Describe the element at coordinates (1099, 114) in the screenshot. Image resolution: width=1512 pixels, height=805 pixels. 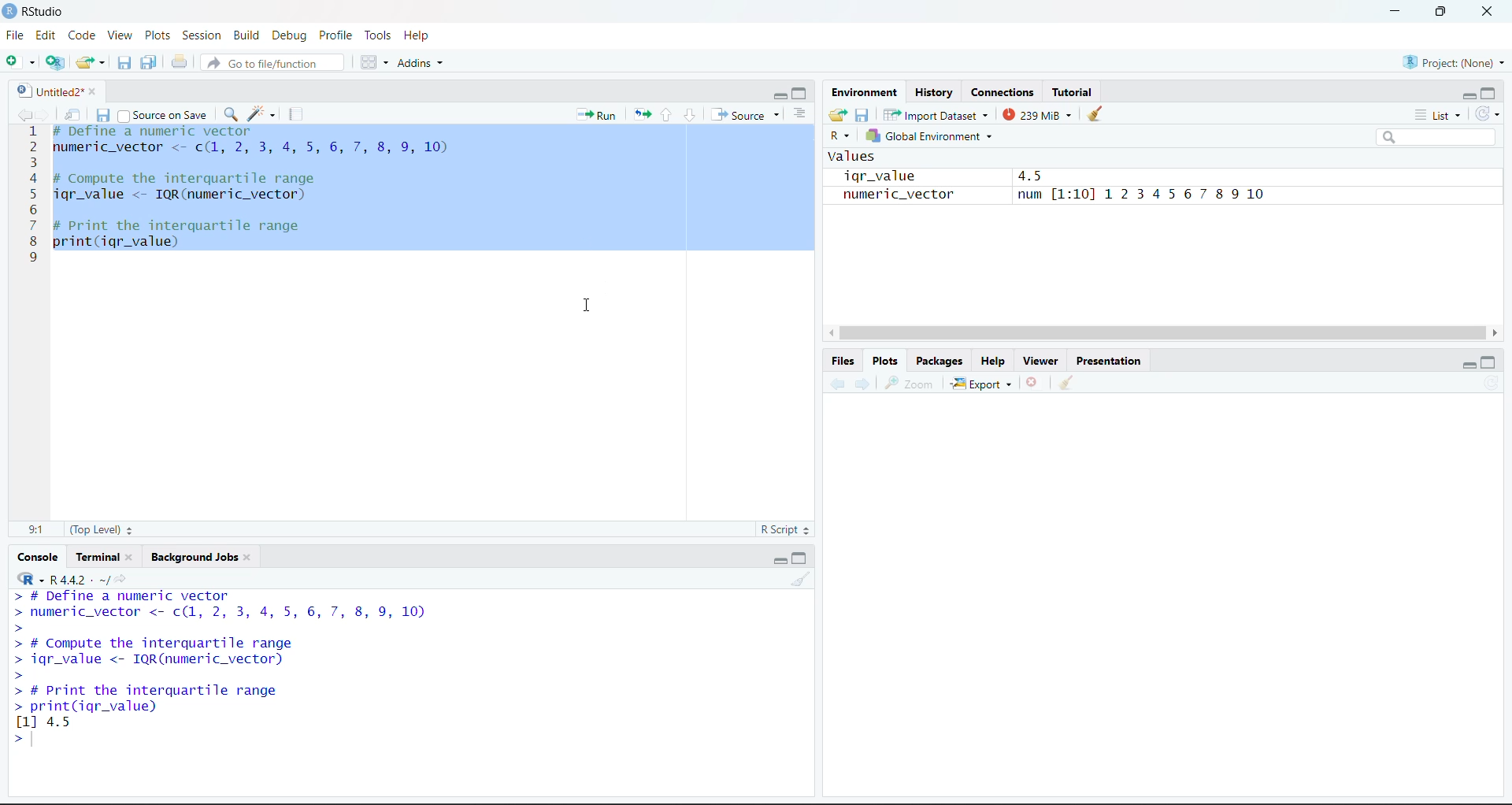
I see `Clear console (Ctrl +L)` at that location.